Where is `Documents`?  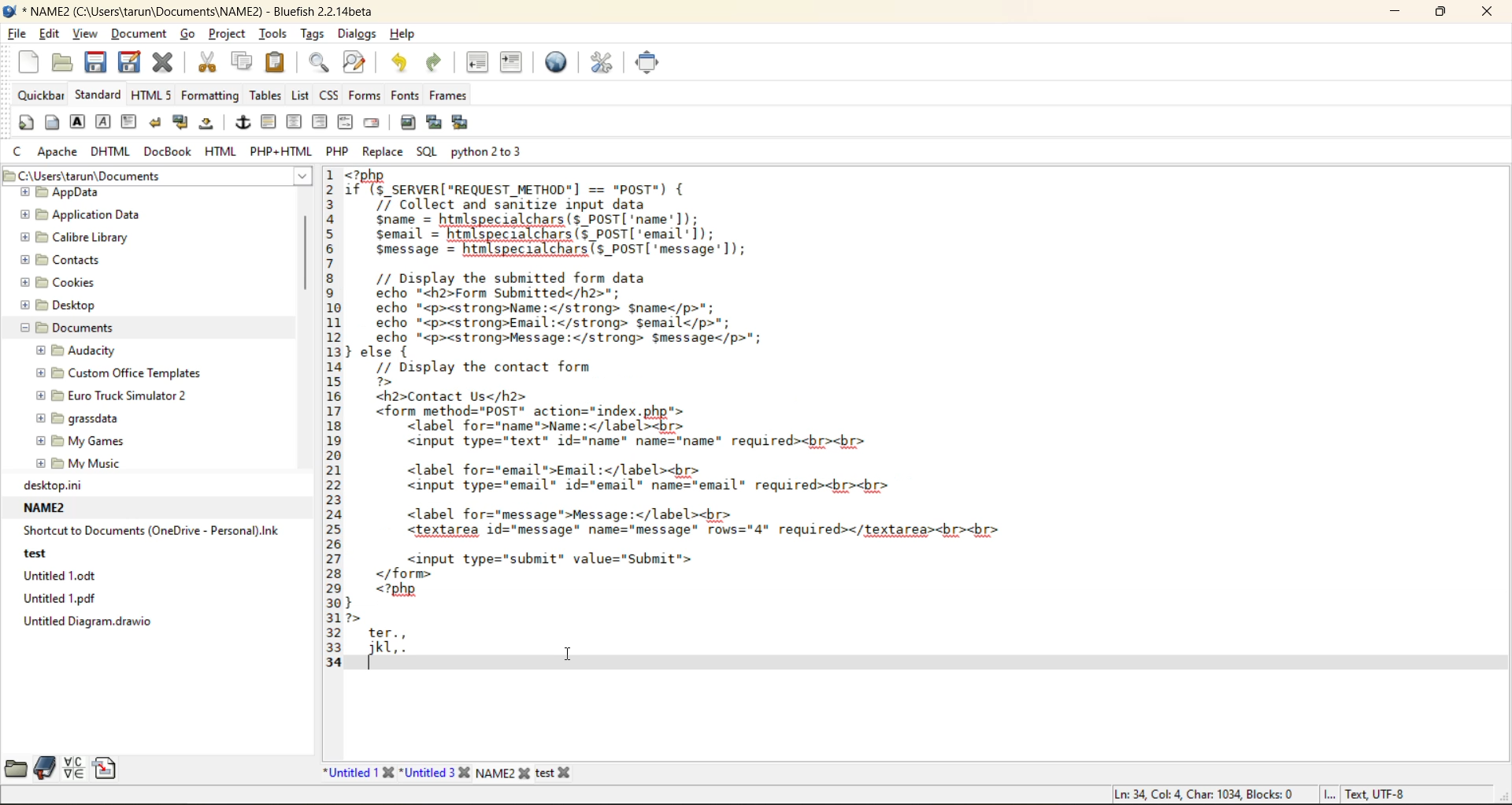
Documents is located at coordinates (63, 329).